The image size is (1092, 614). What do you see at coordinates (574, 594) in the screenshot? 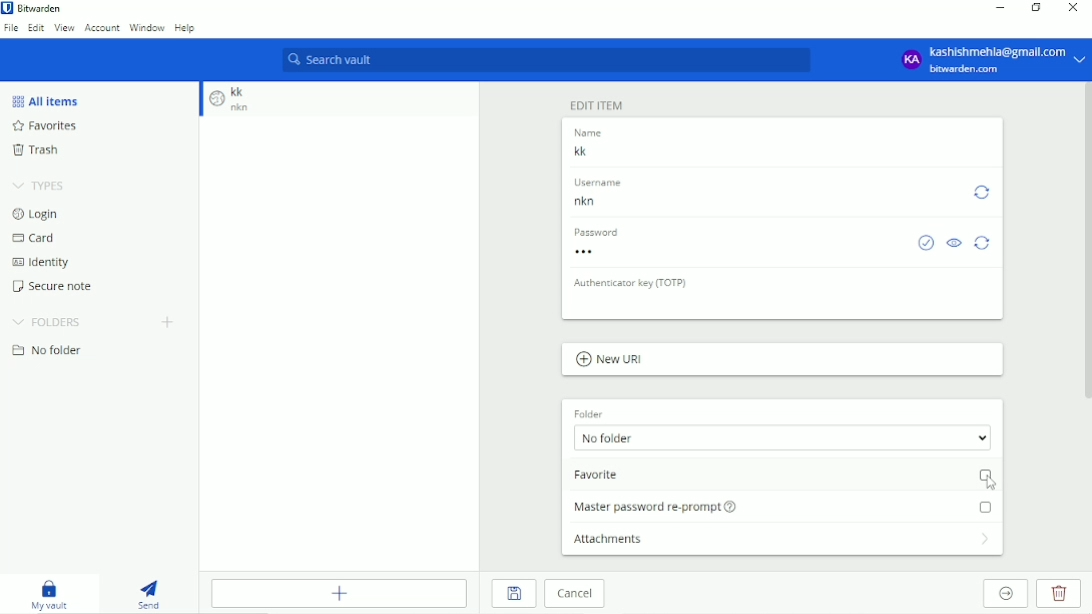
I see `Cancel` at bounding box center [574, 594].